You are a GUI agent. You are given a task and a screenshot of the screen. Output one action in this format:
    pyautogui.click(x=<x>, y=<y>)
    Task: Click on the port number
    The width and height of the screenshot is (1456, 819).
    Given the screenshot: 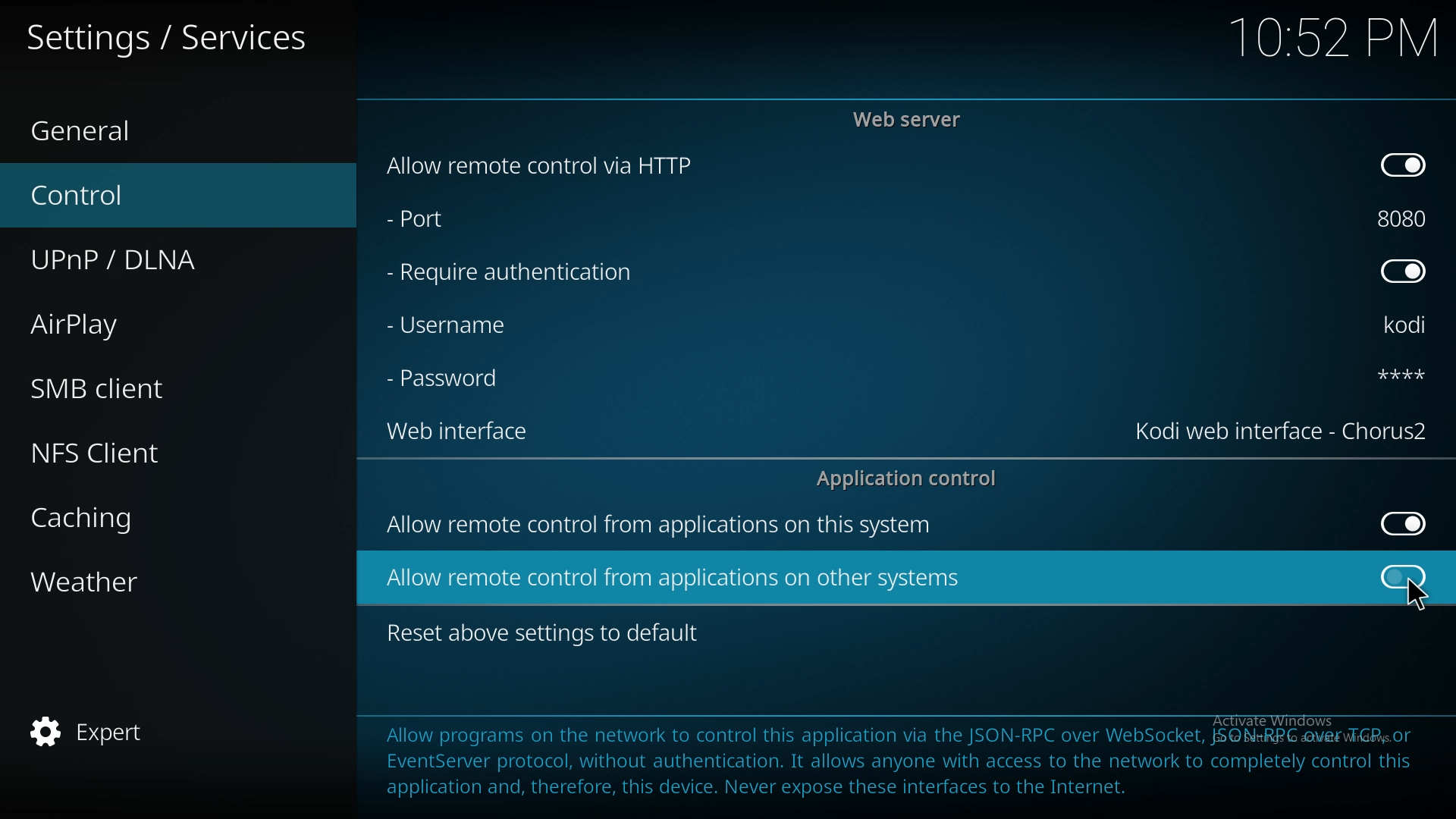 What is the action you would take?
    pyautogui.click(x=1403, y=218)
    